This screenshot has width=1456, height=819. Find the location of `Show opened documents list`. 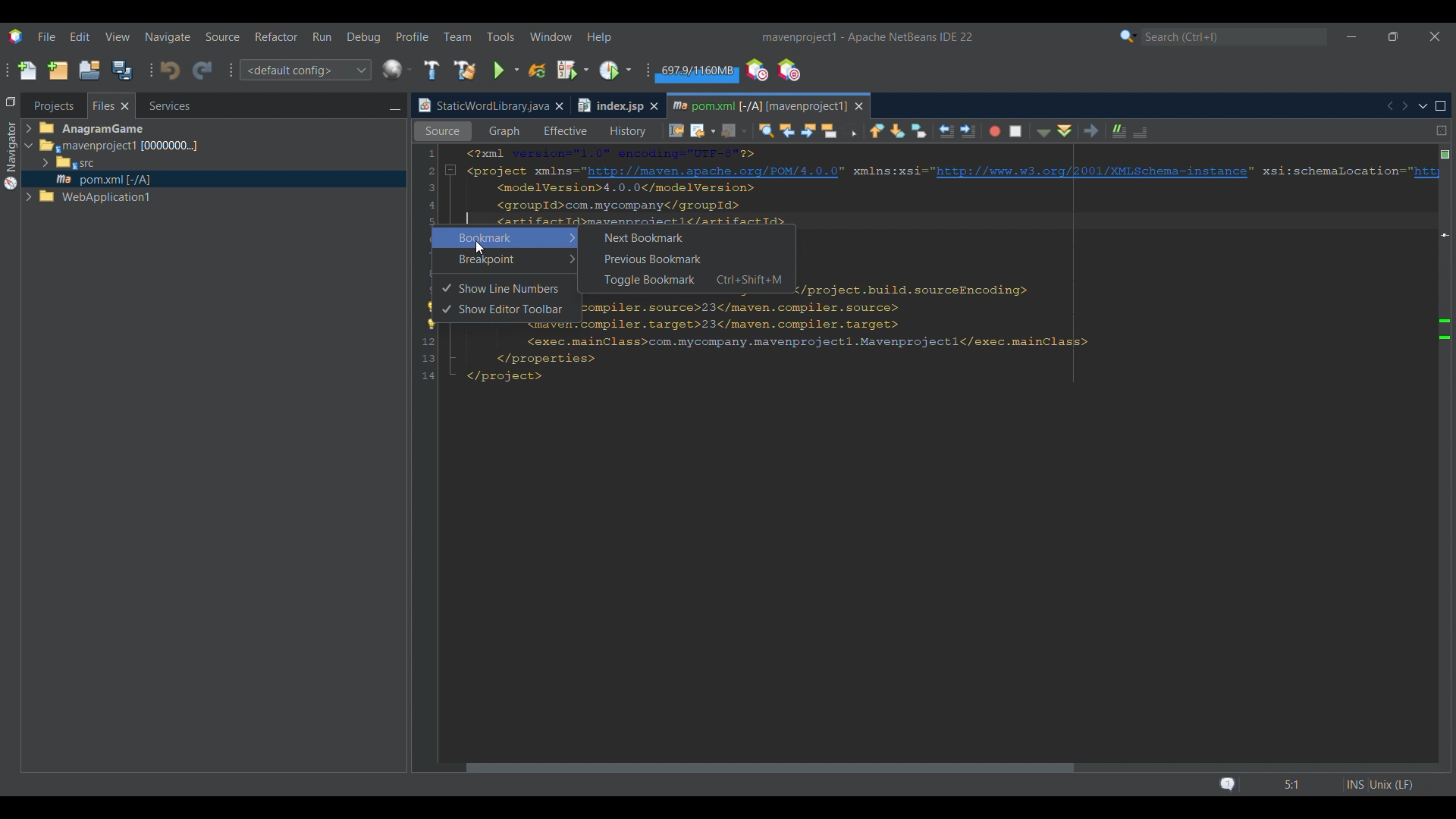

Show opened documents list is located at coordinates (1423, 107).